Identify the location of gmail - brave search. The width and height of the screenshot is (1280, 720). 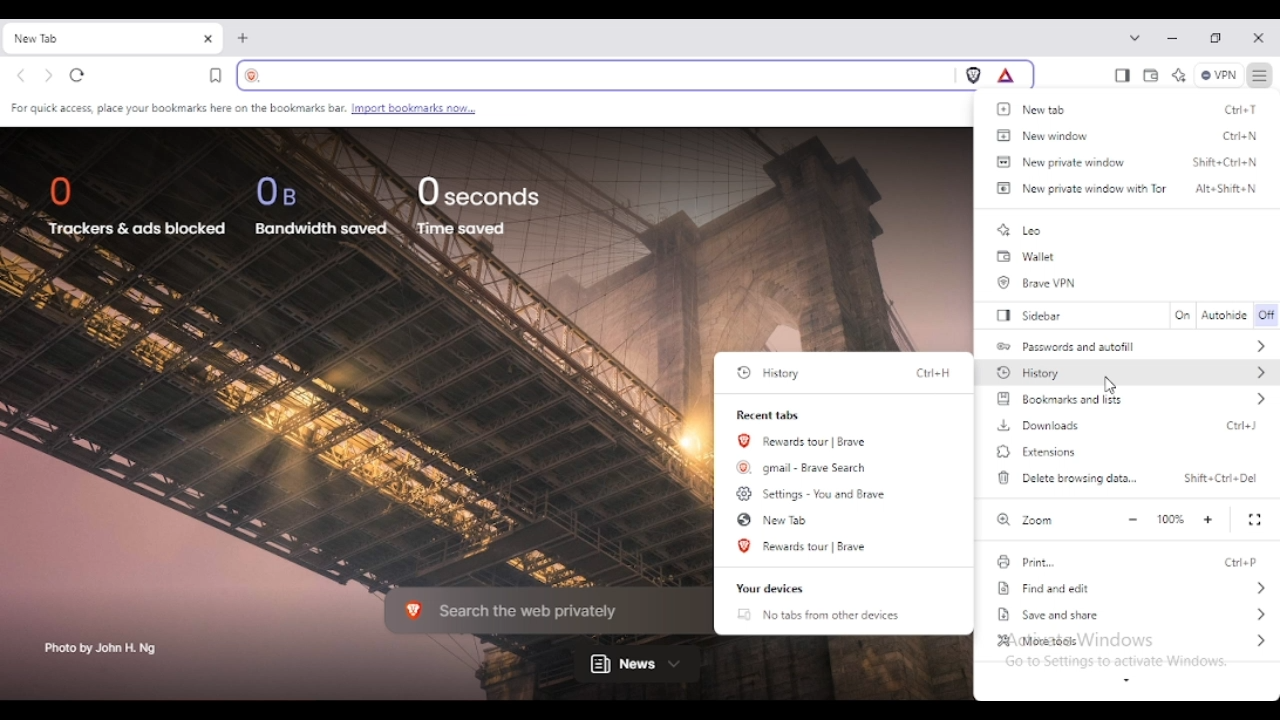
(804, 466).